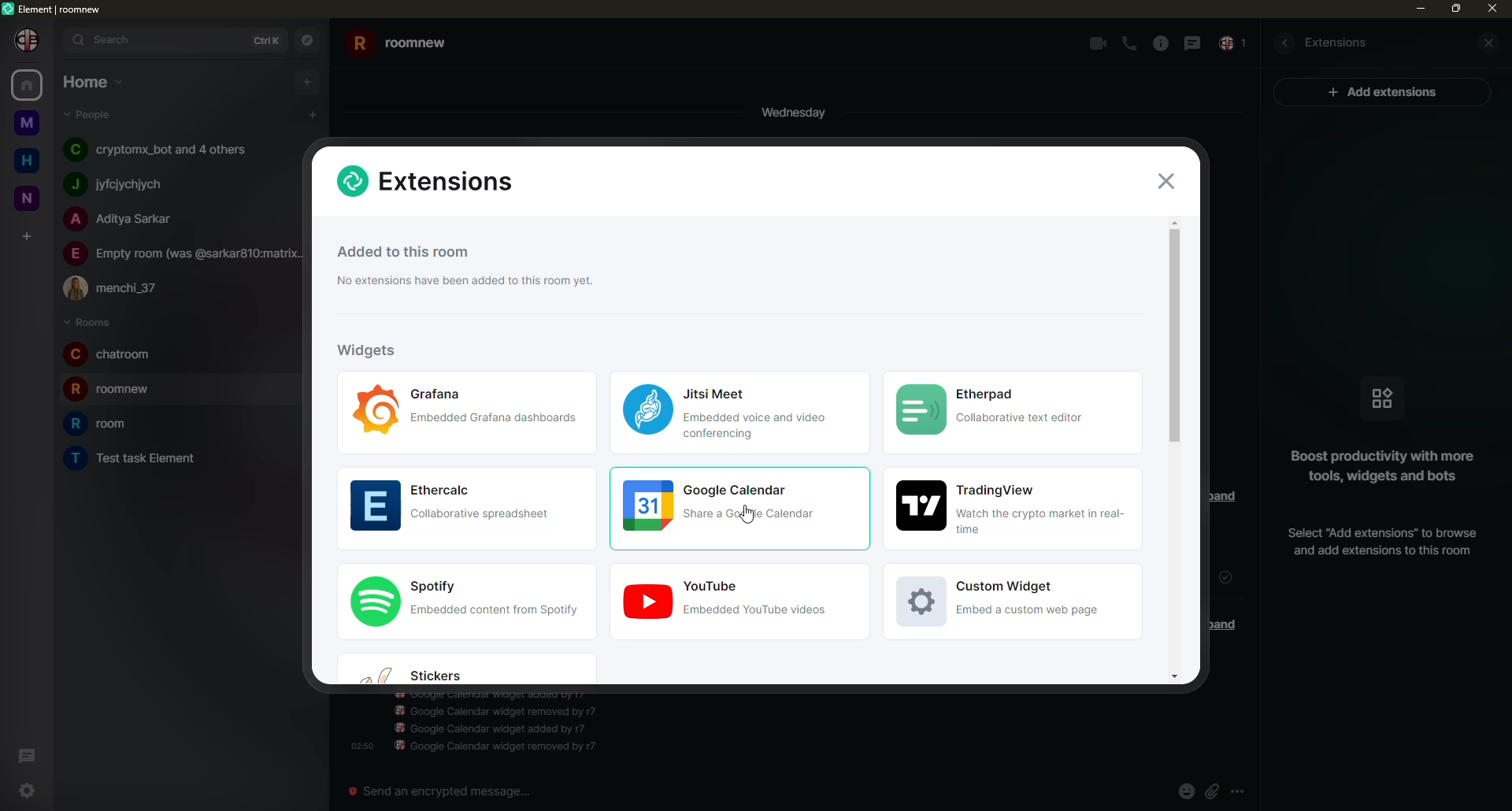  Describe the element at coordinates (28, 124) in the screenshot. I see `room` at that location.